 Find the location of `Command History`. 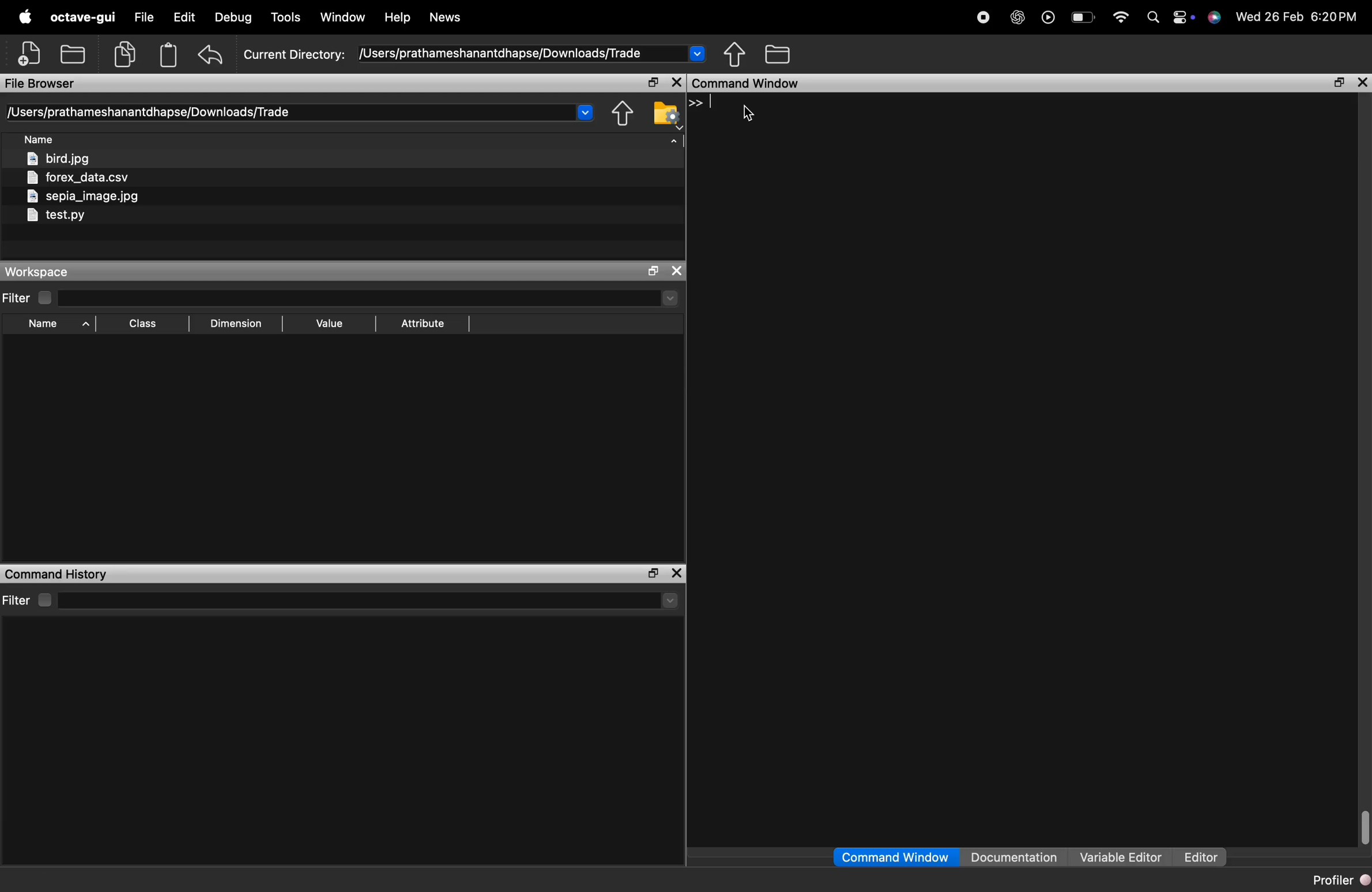

Command History is located at coordinates (56, 574).